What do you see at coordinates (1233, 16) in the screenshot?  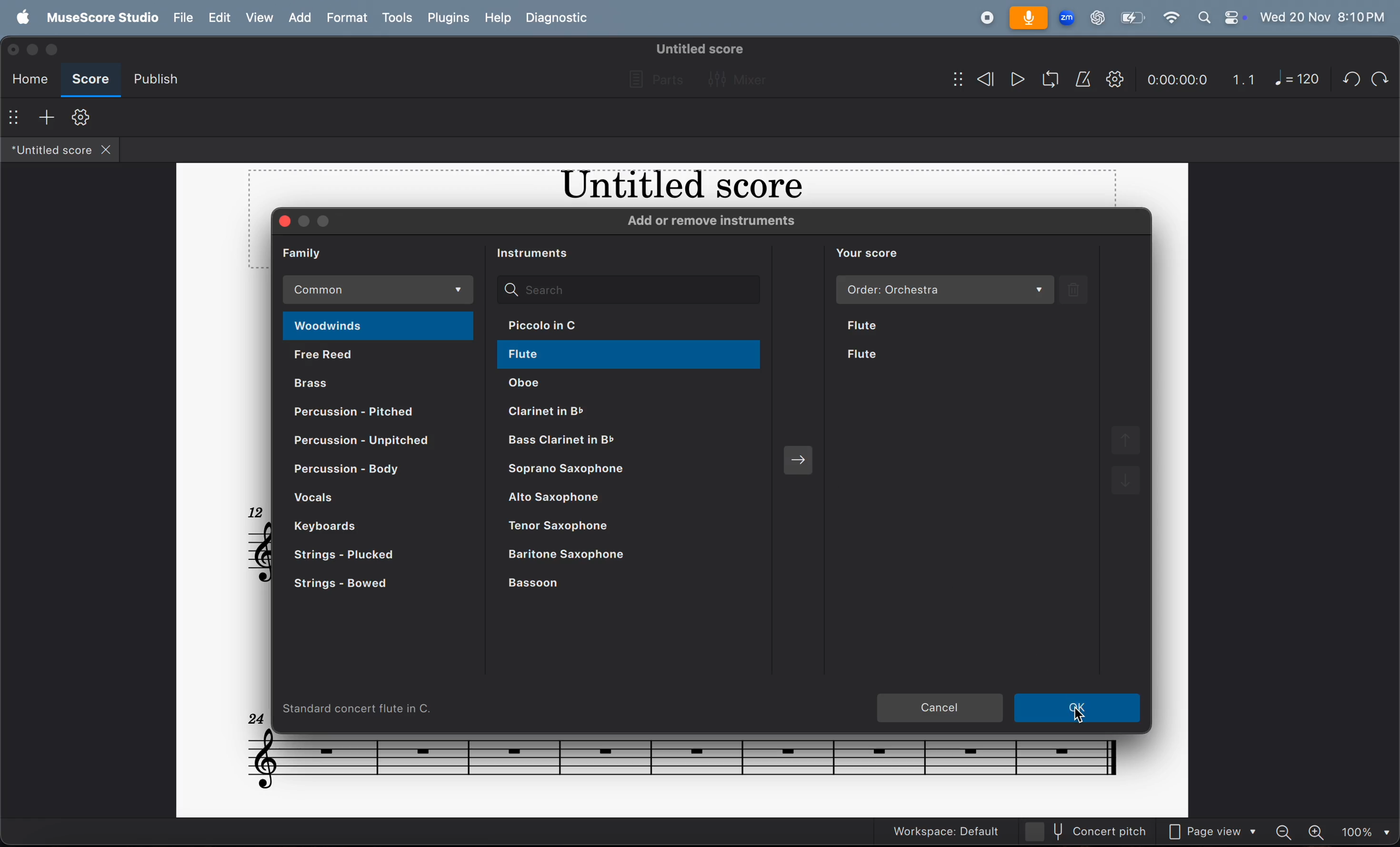 I see `control center` at bounding box center [1233, 16].